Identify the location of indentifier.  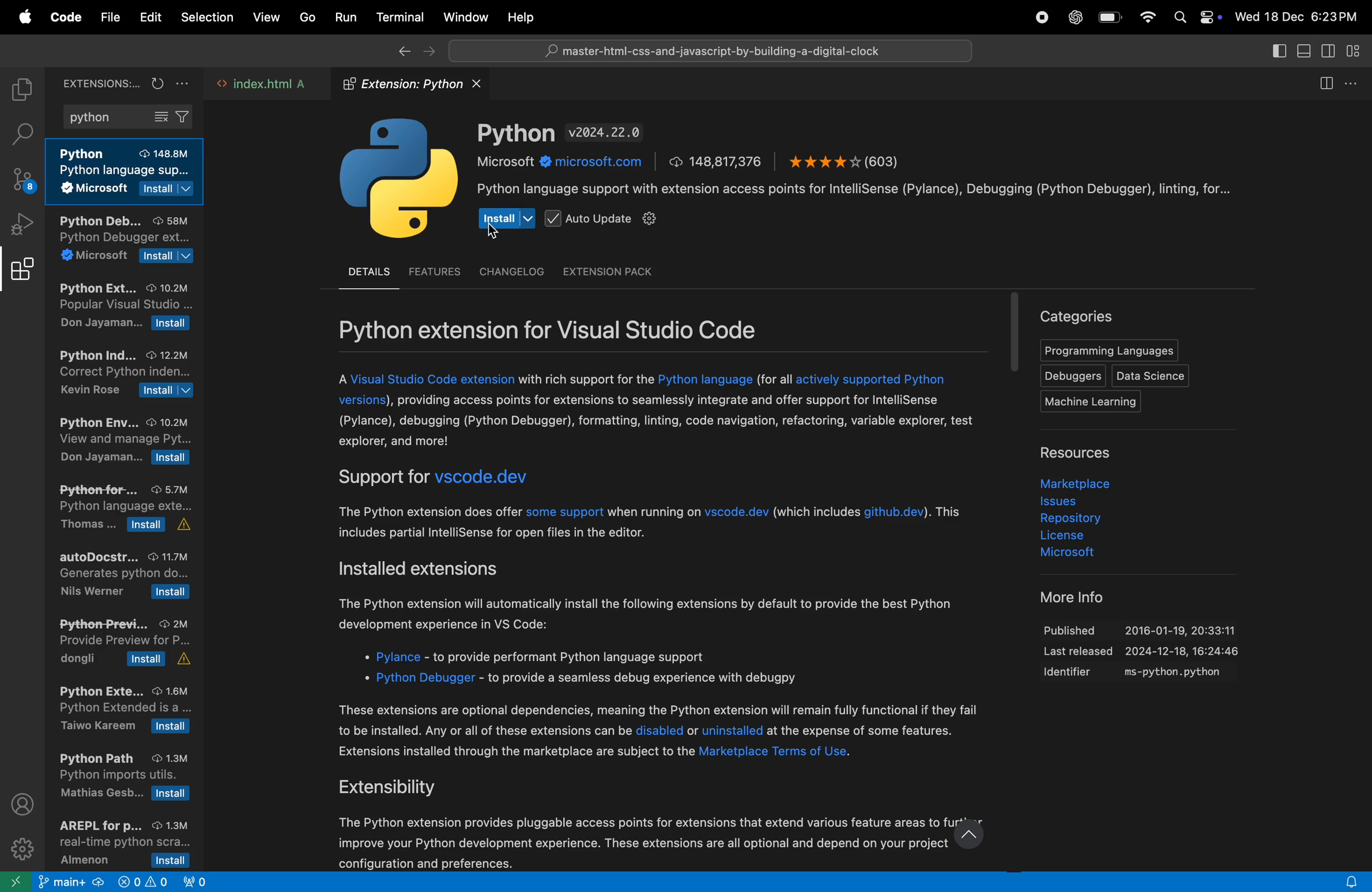
(1145, 674).